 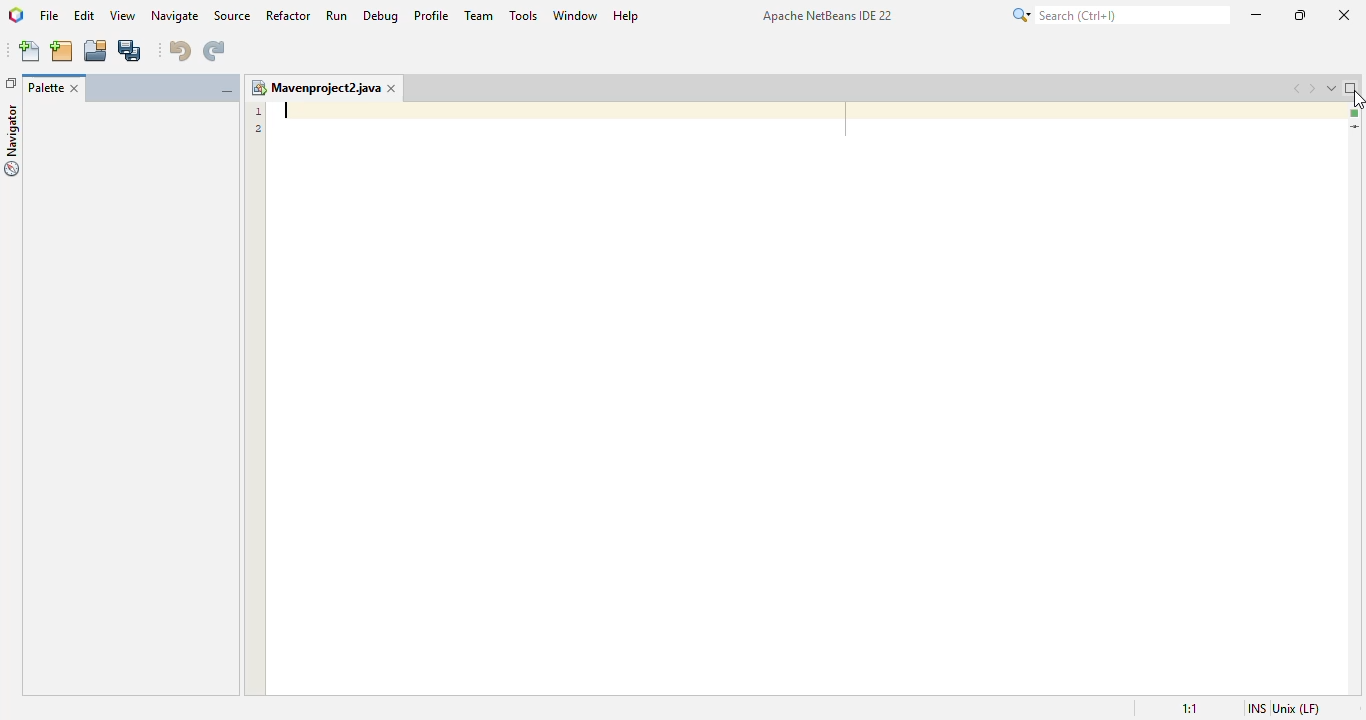 What do you see at coordinates (62, 51) in the screenshot?
I see `new project` at bounding box center [62, 51].